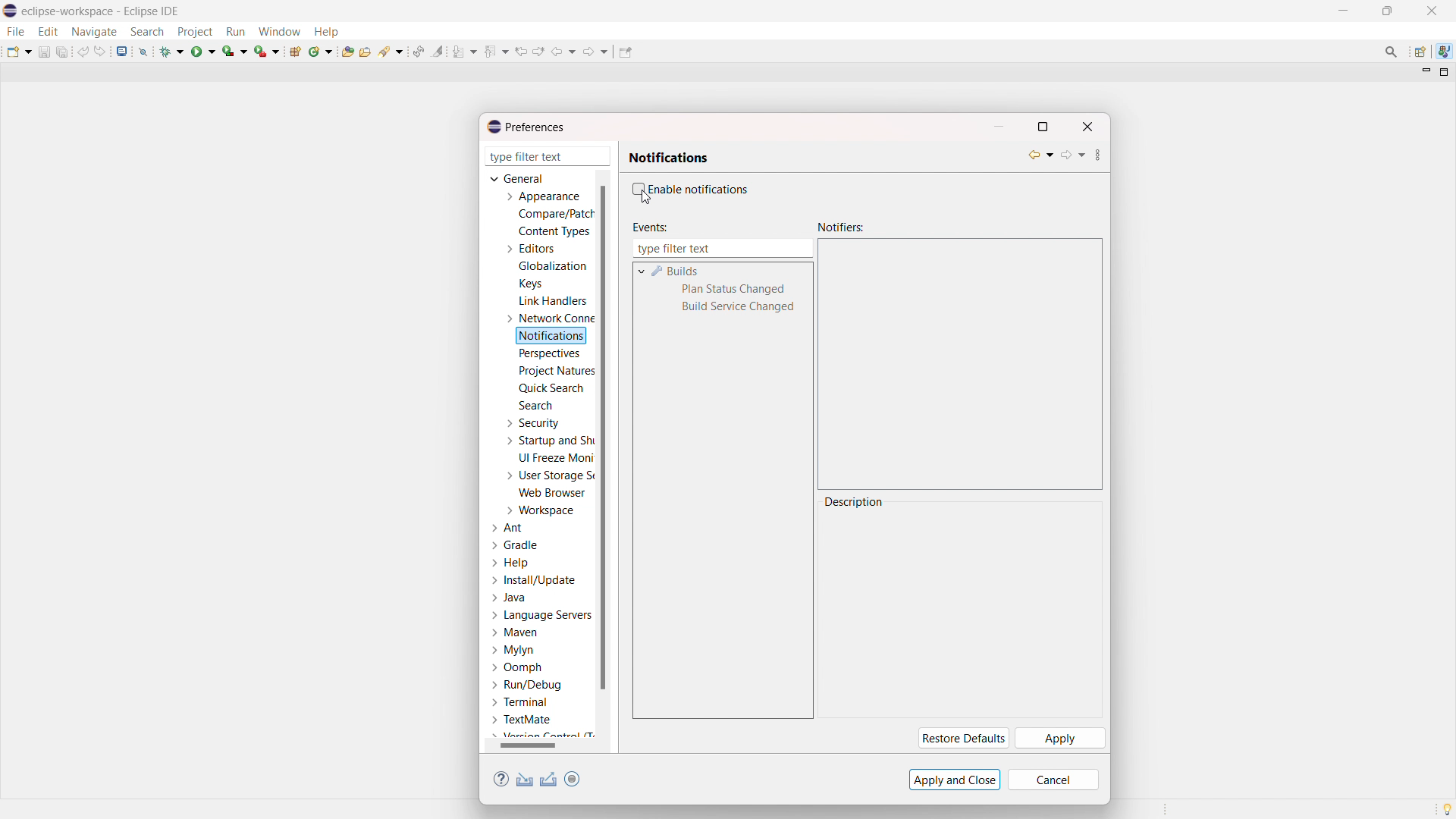 Image resolution: width=1456 pixels, height=819 pixels. Describe the element at coordinates (554, 265) in the screenshot. I see `globalization` at that location.